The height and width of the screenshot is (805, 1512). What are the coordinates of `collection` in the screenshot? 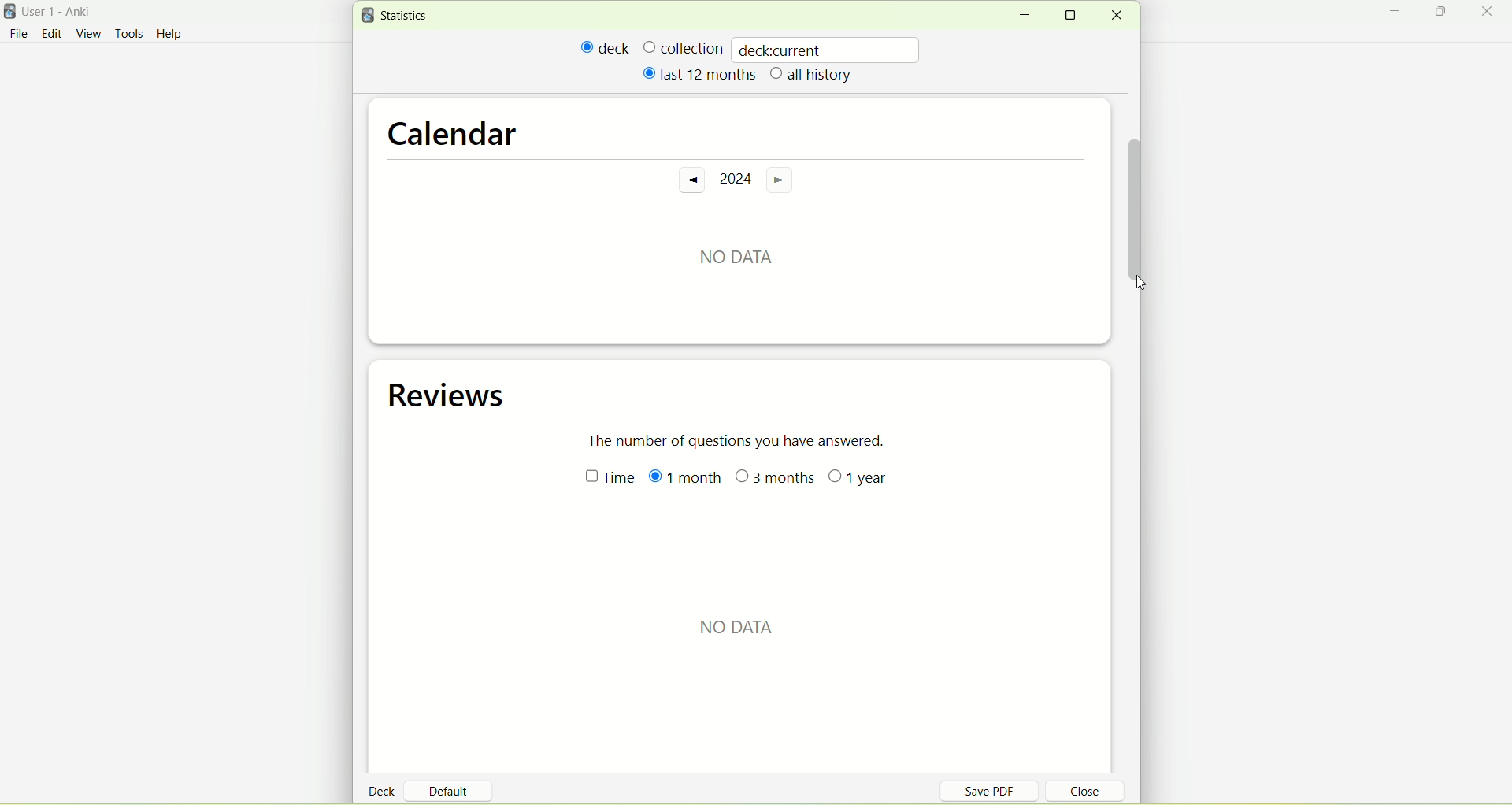 It's located at (683, 47).